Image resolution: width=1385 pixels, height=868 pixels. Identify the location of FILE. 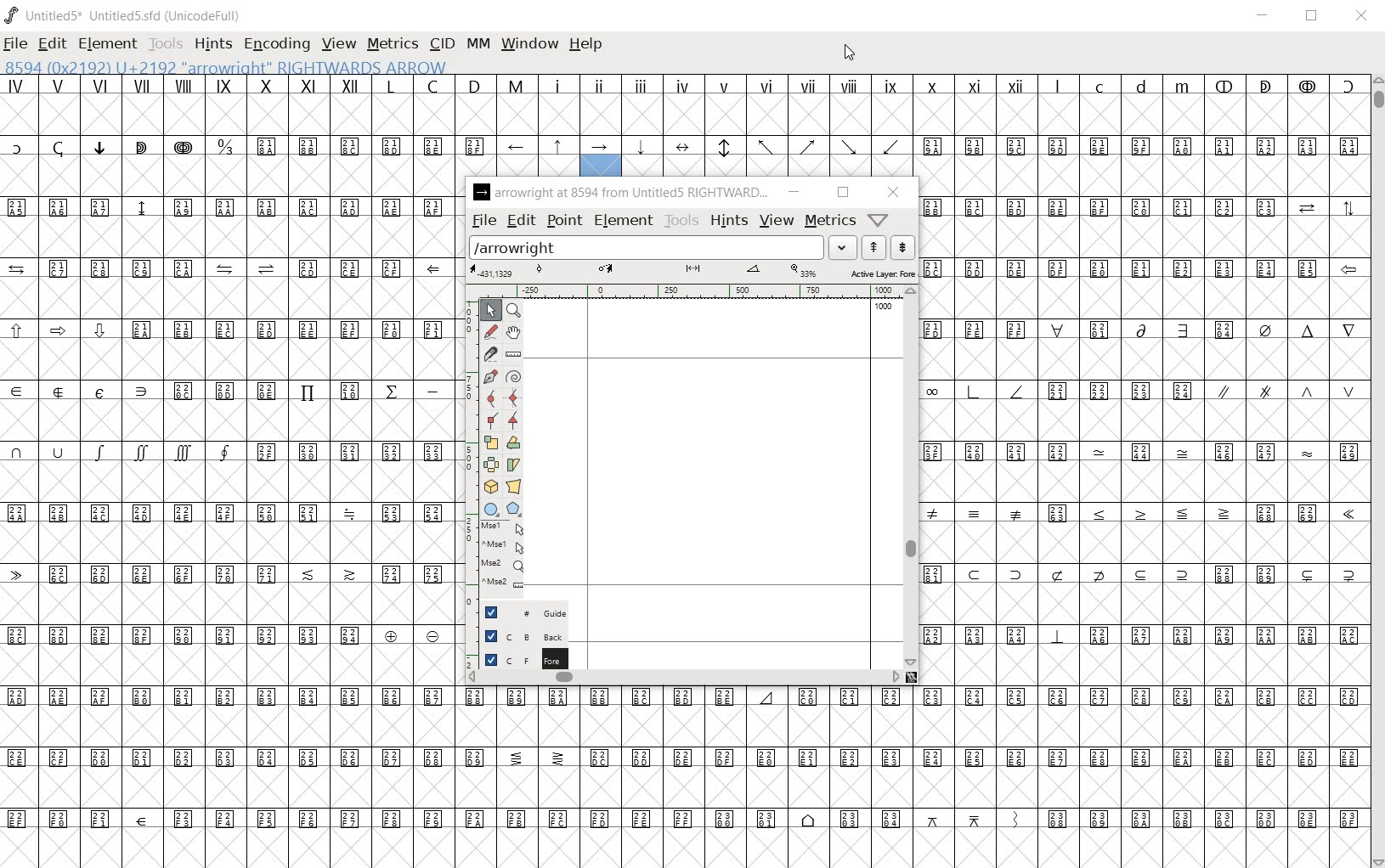
(16, 42).